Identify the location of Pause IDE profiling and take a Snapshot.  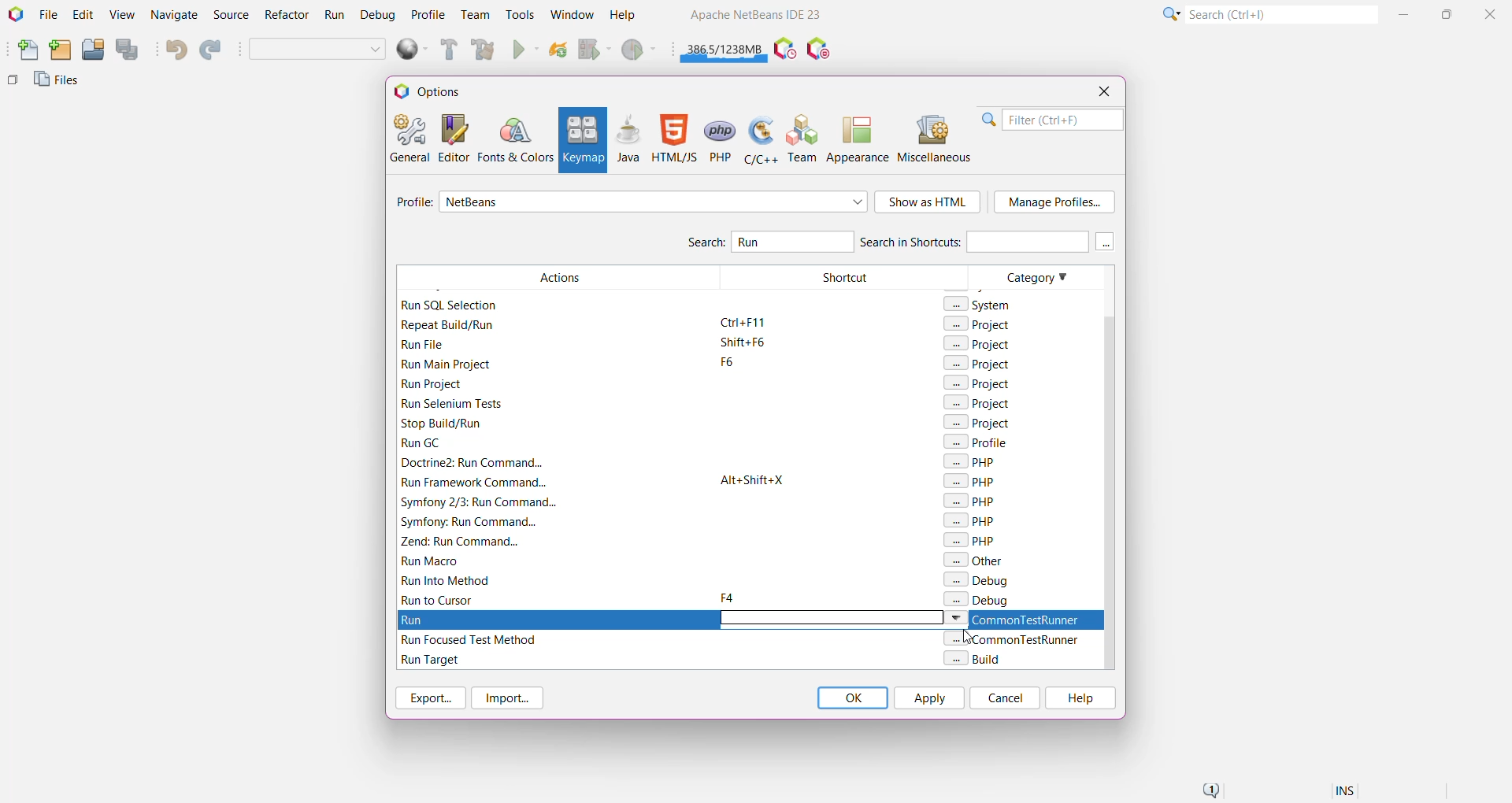
(785, 50).